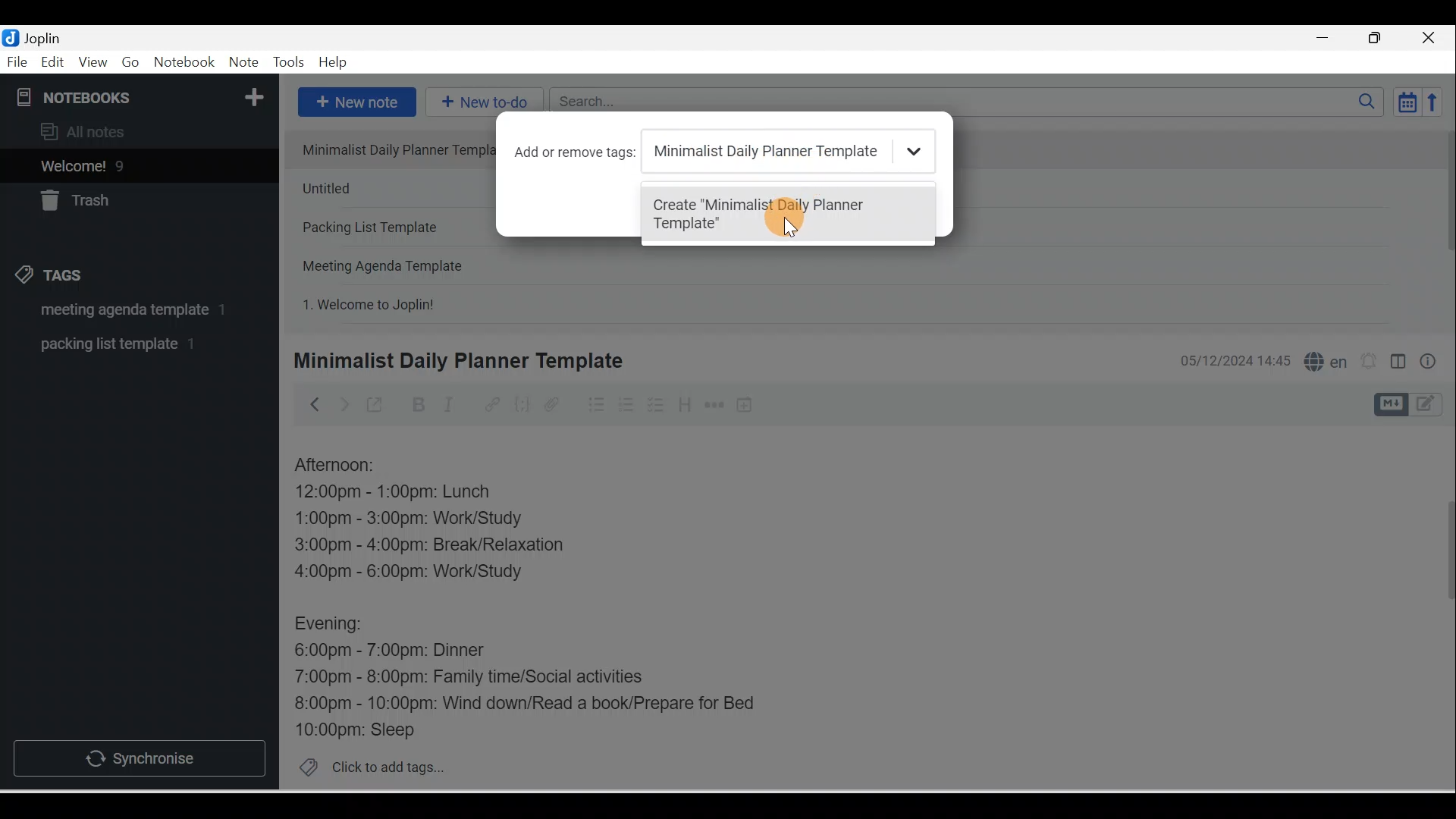 This screenshot has height=819, width=1456. I want to click on Afternoon:, so click(345, 466).